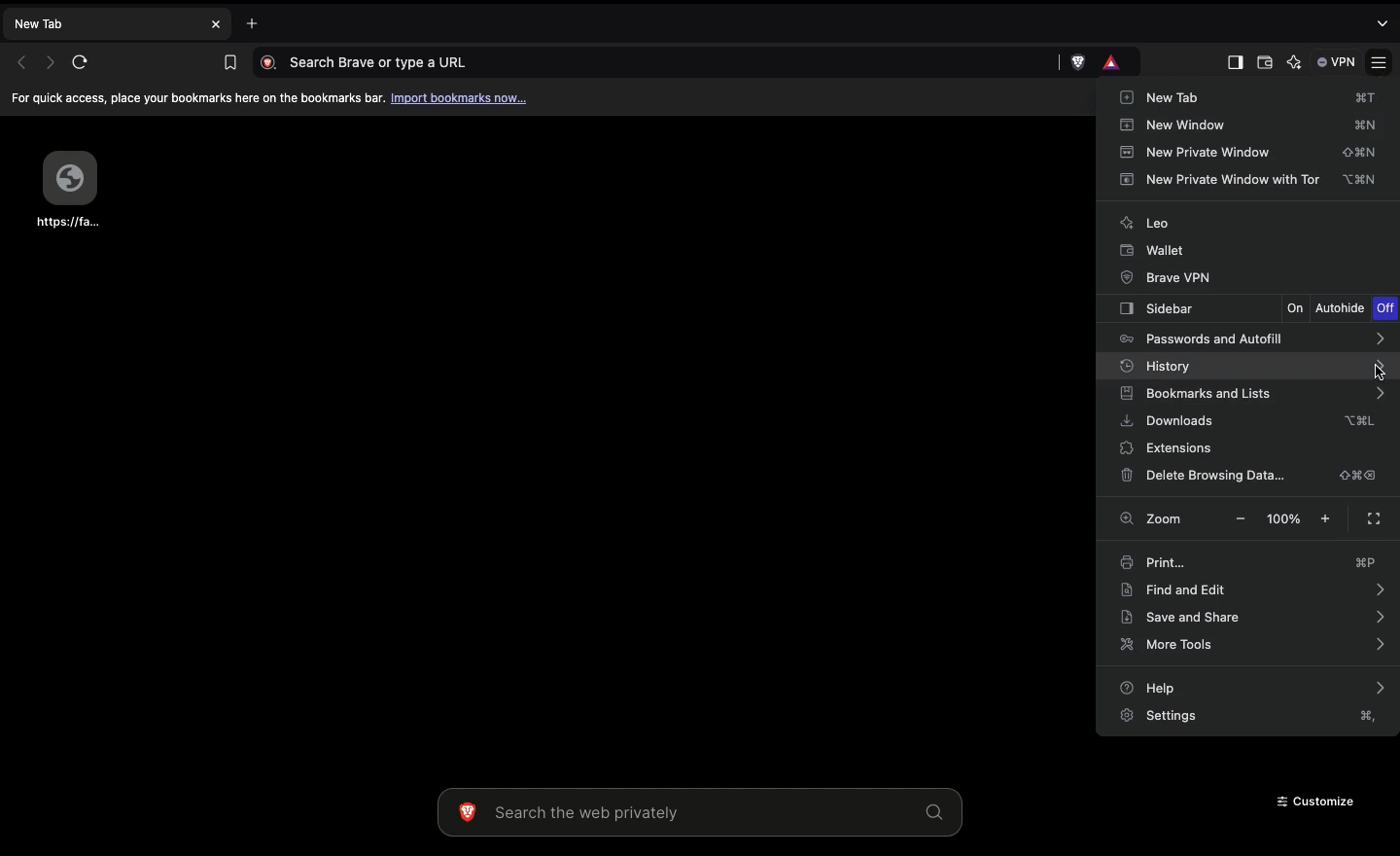 The width and height of the screenshot is (1400, 856). Describe the element at coordinates (1252, 339) in the screenshot. I see `Passwords and autofill` at that location.